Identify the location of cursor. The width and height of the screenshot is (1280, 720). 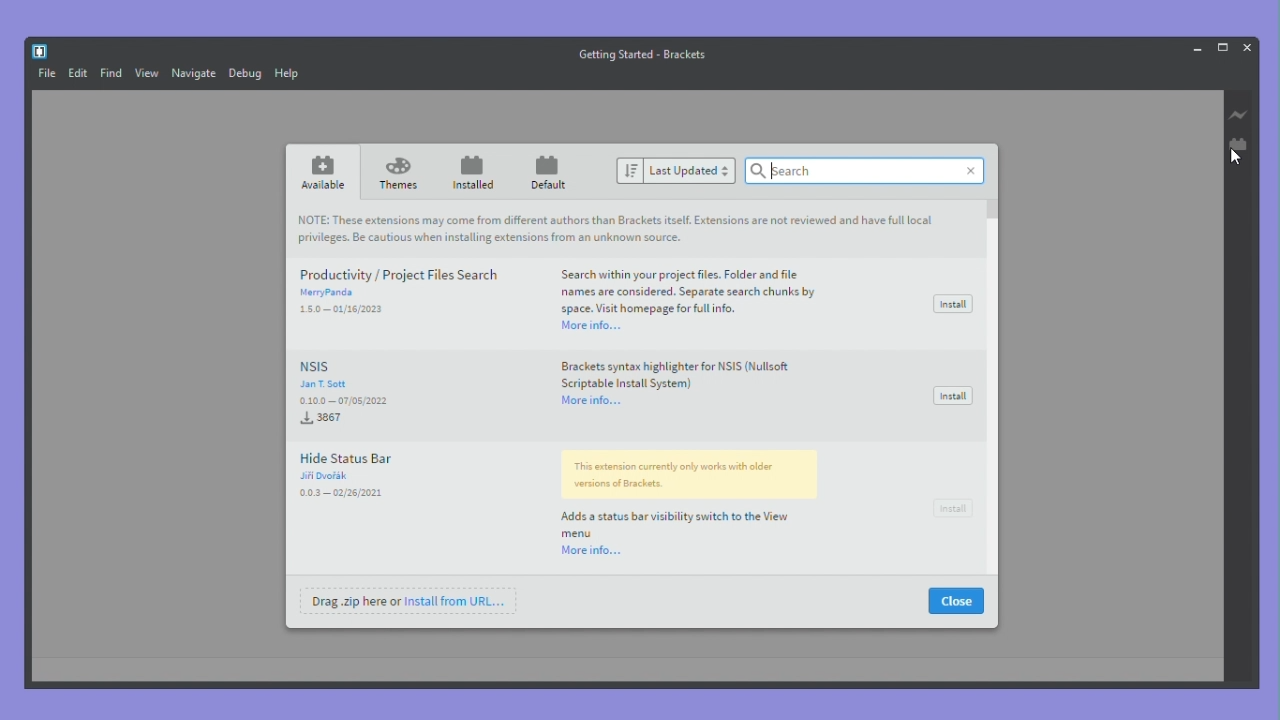
(1241, 162).